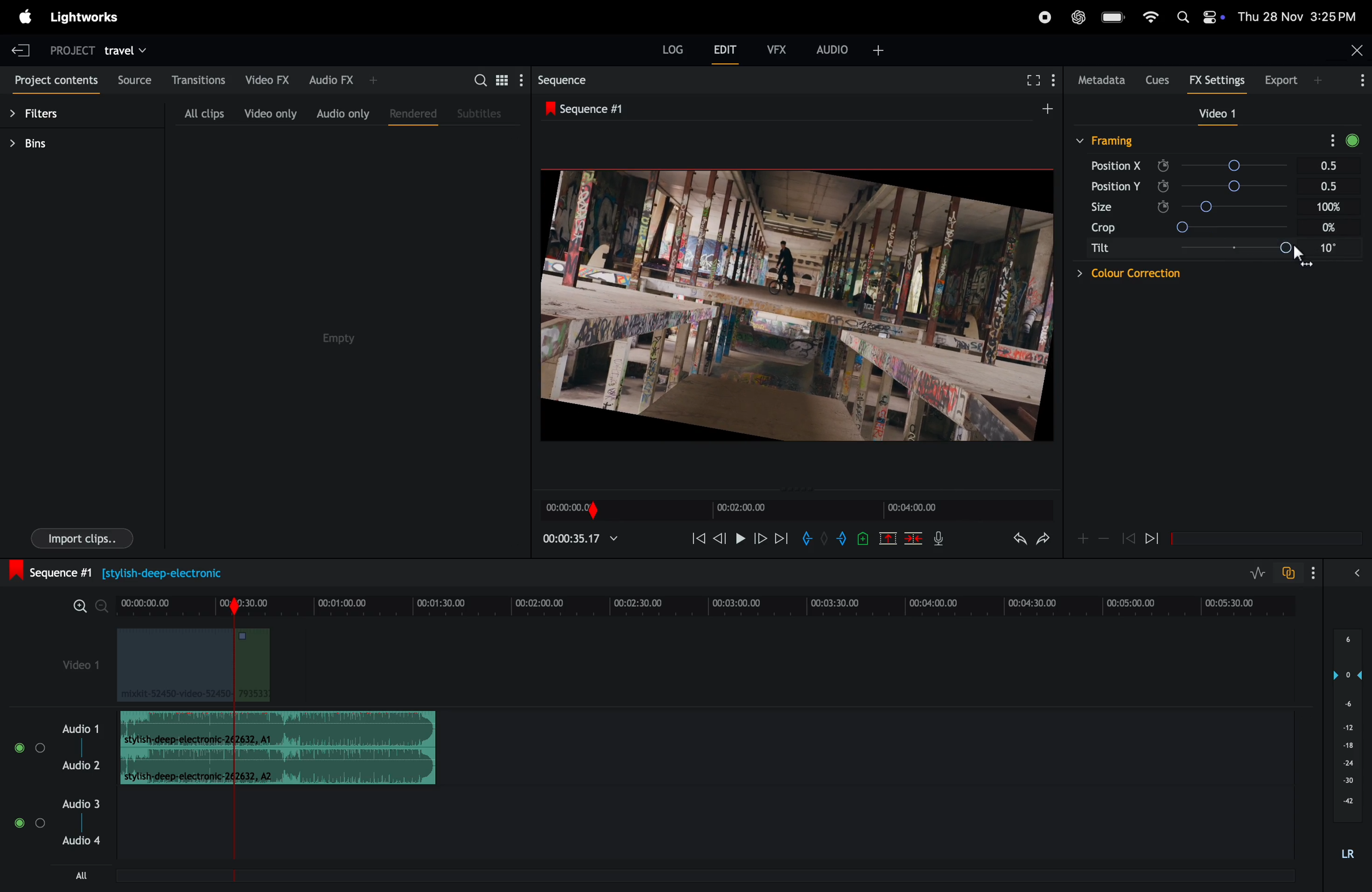 The image size is (1372, 892). I want to click on exit, so click(21, 48).